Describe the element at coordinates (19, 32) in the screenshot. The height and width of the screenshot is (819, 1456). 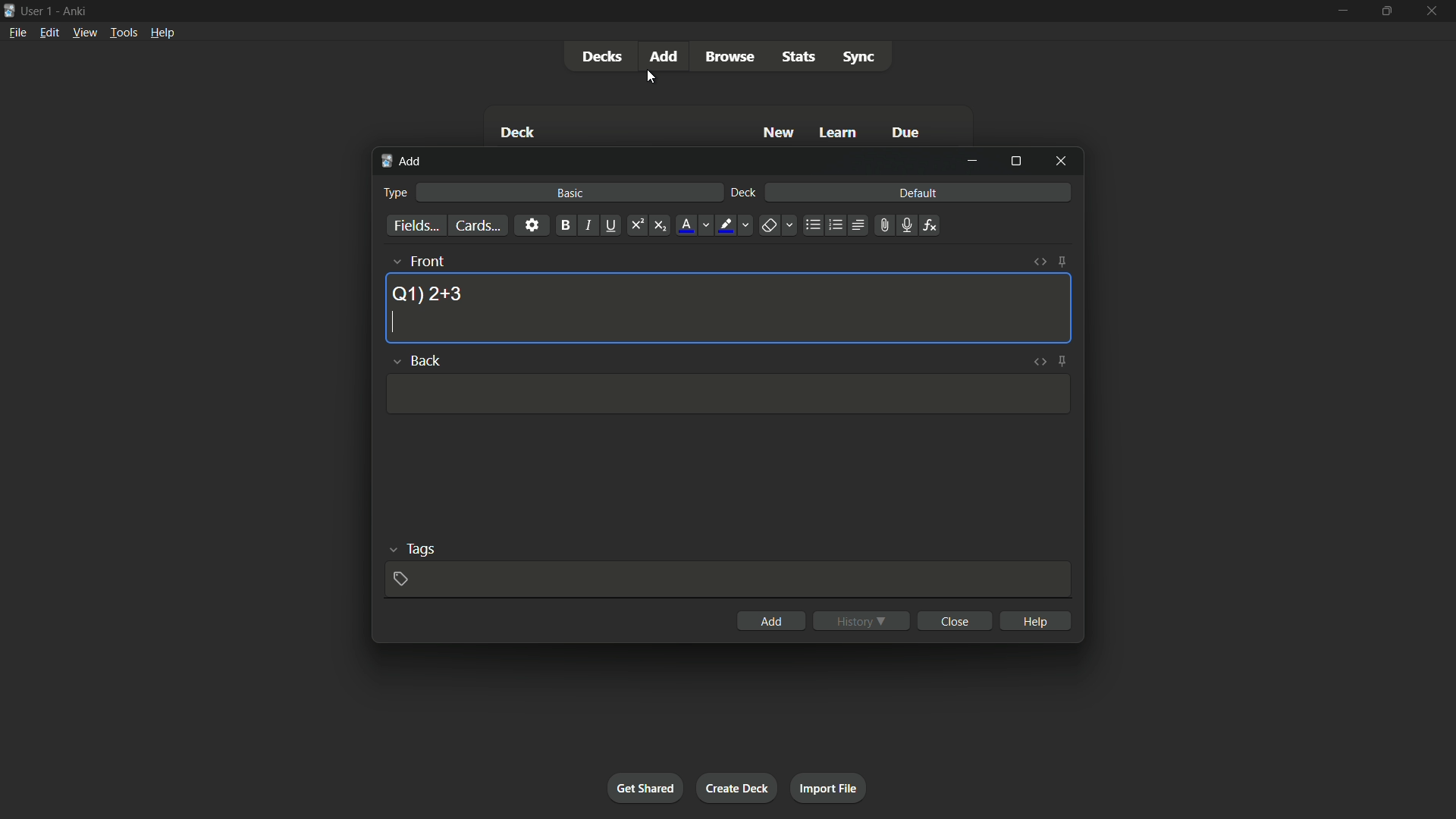
I see `file menu` at that location.